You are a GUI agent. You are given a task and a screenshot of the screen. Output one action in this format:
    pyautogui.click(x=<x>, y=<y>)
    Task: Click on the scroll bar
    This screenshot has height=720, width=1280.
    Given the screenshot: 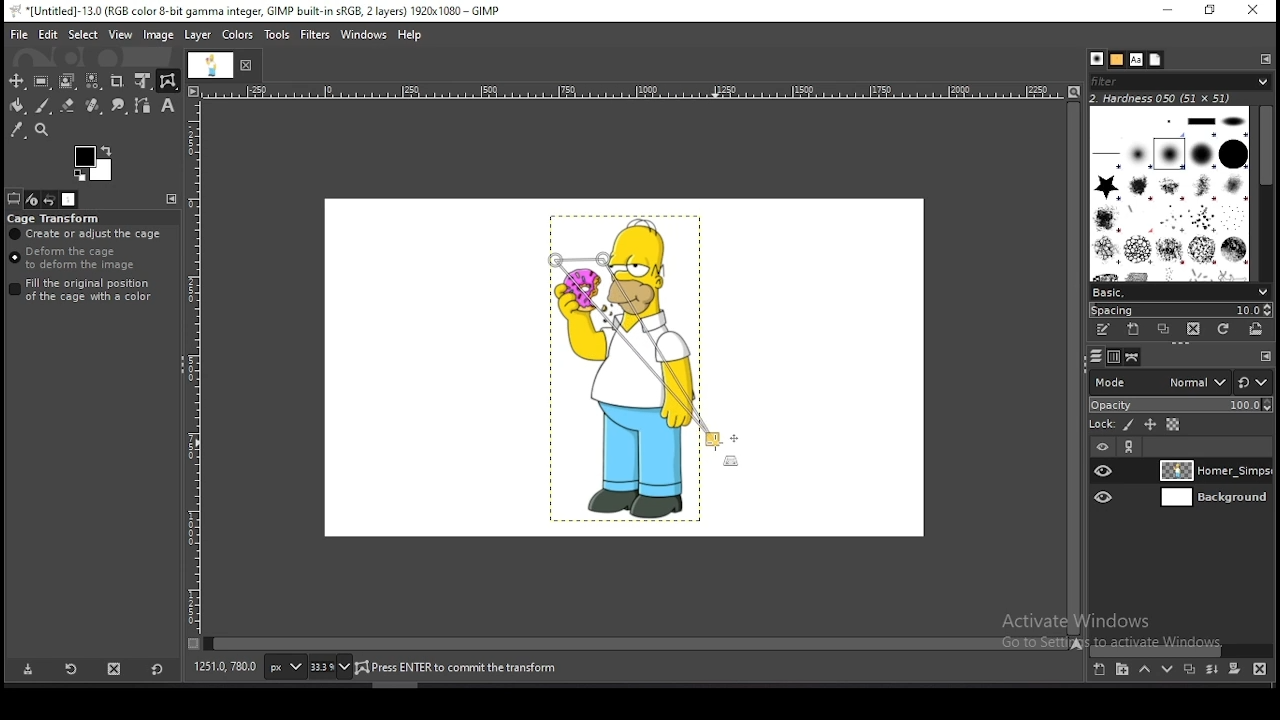 What is the action you would take?
    pyautogui.click(x=636, y=642)
    